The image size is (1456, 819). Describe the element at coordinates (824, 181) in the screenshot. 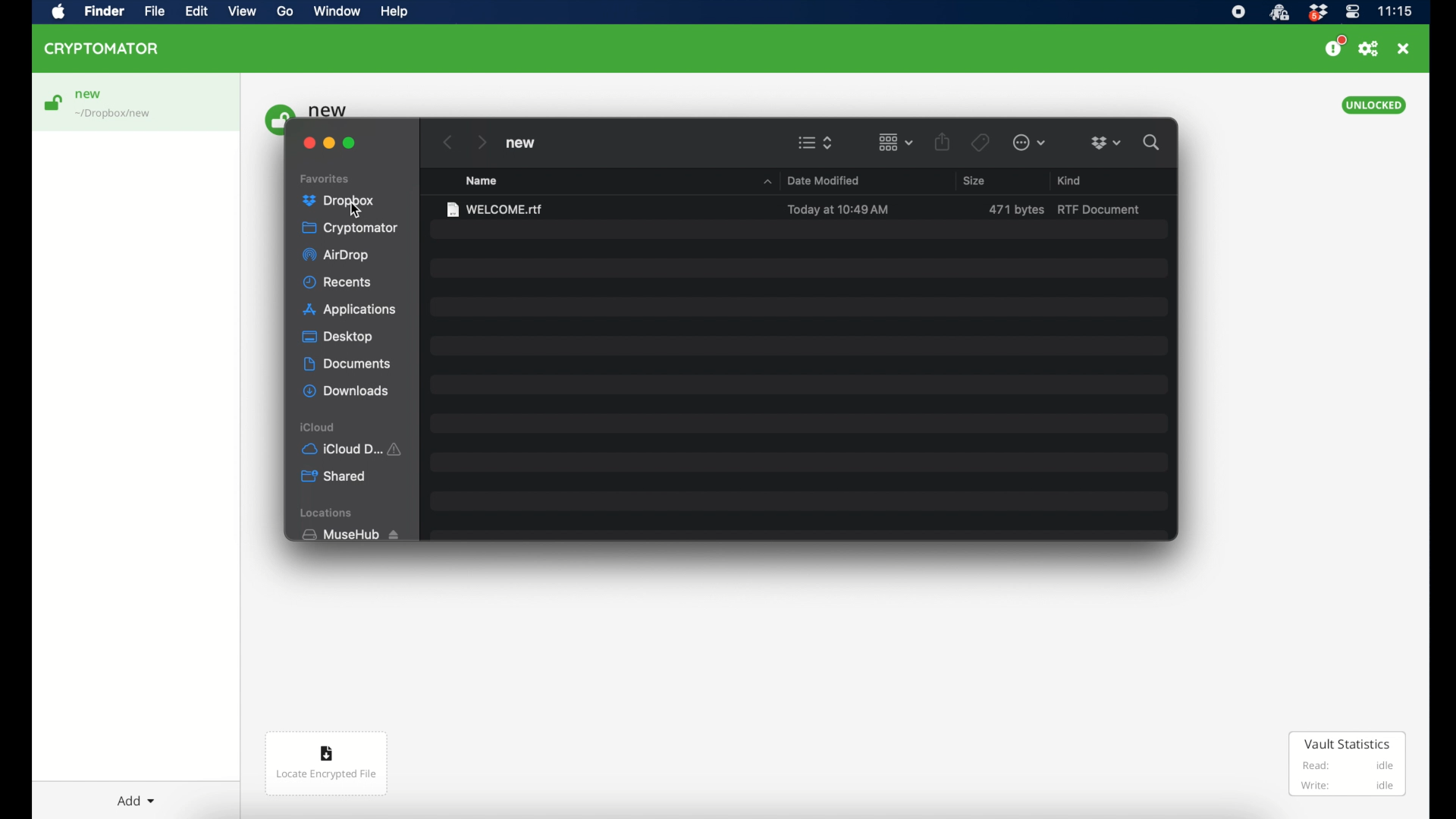

I see `date modified` at that location.